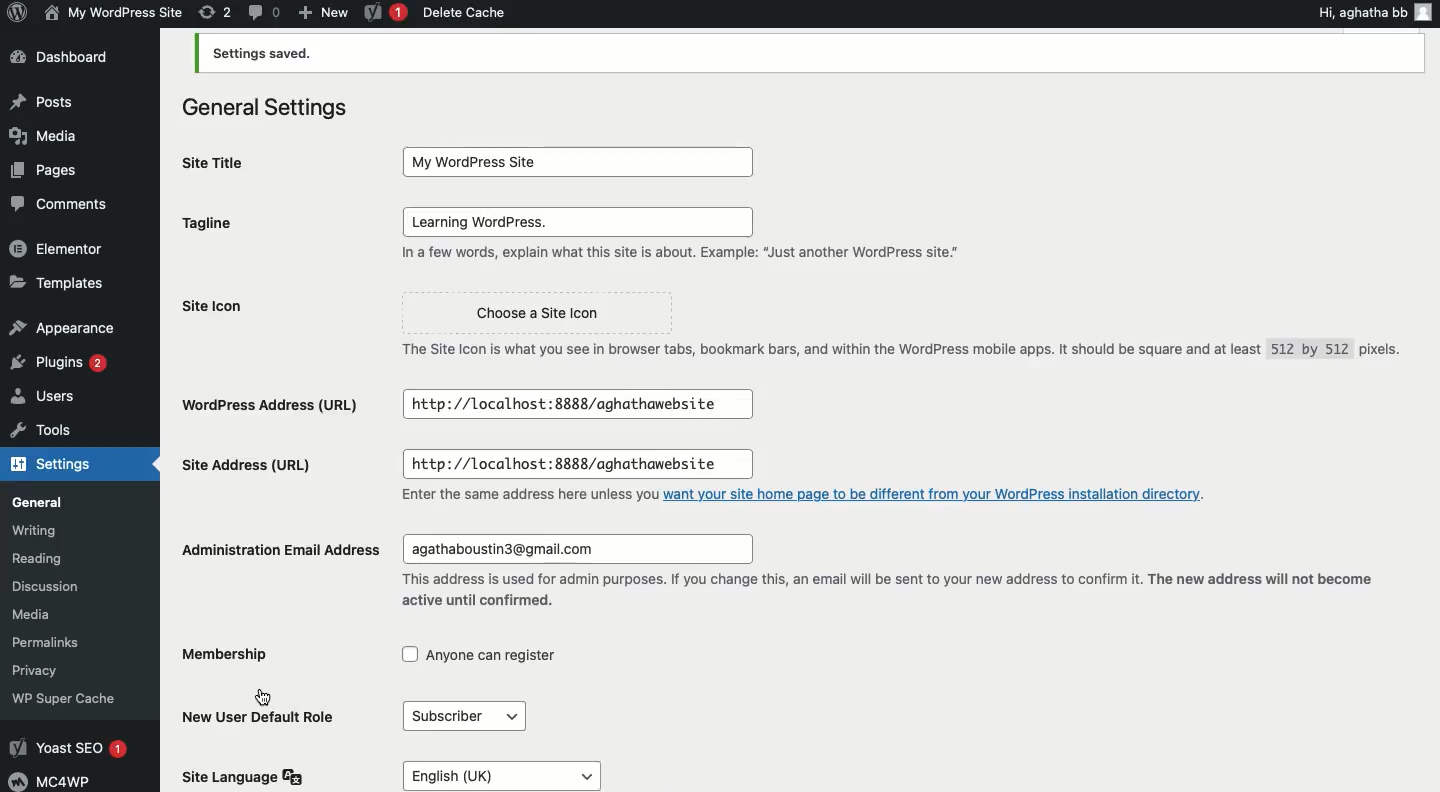 Image resolution: width=1440 pixels, height=792 pixels. I want to click on  My Wordpress Site , so click(572, 159).